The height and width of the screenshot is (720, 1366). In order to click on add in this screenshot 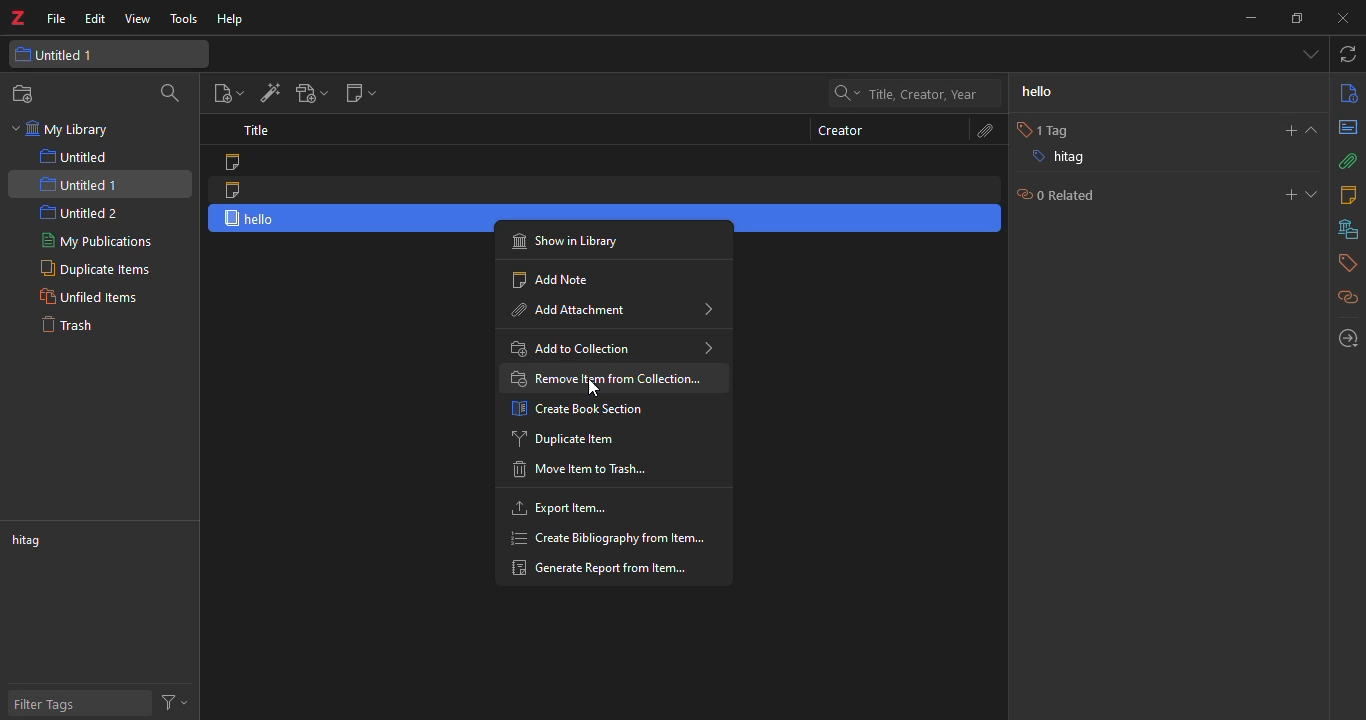, I will do `click(1284, 131)`.